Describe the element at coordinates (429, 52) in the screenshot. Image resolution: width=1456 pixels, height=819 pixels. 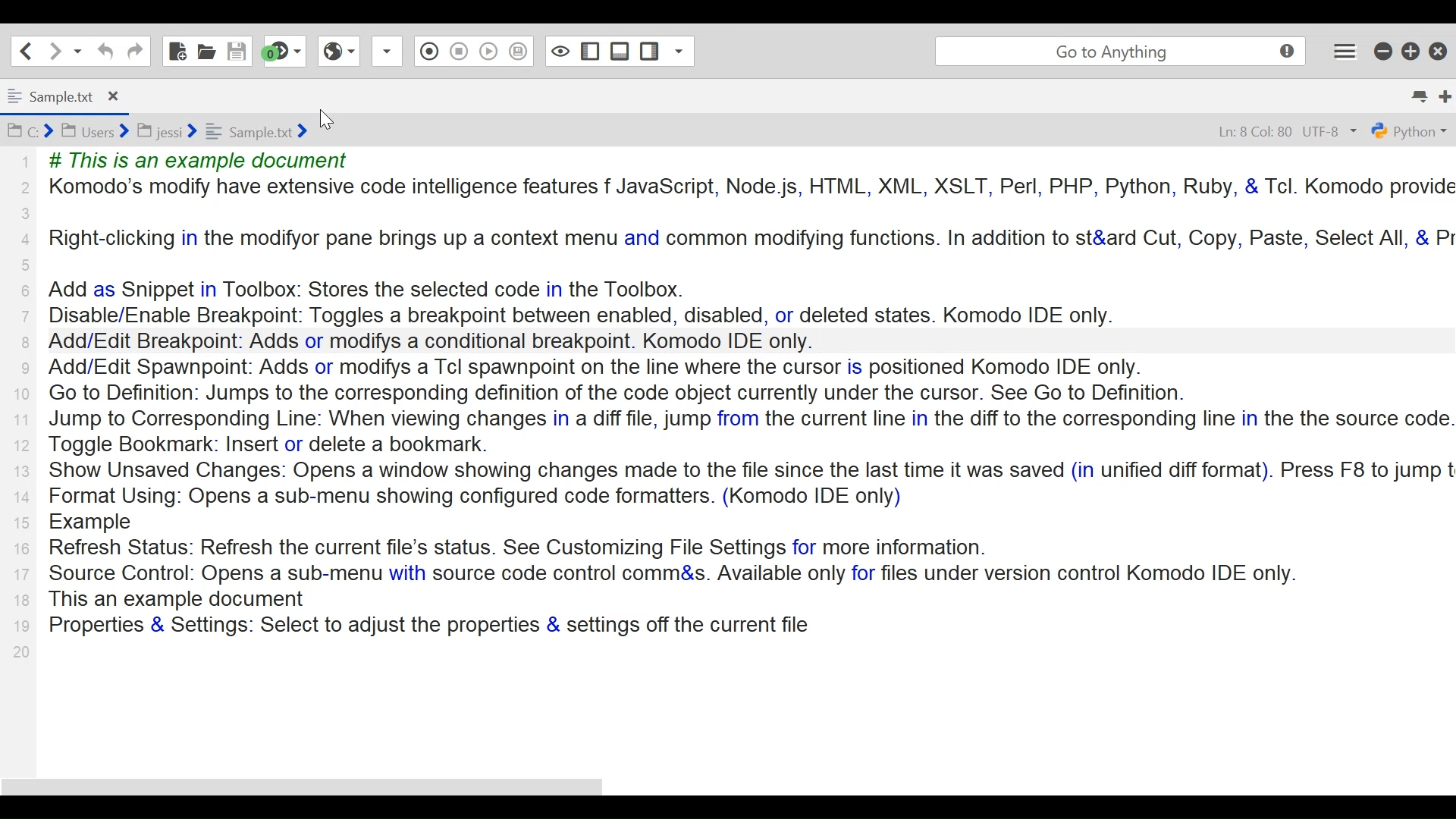
I see `Recording in Macro` at that location.